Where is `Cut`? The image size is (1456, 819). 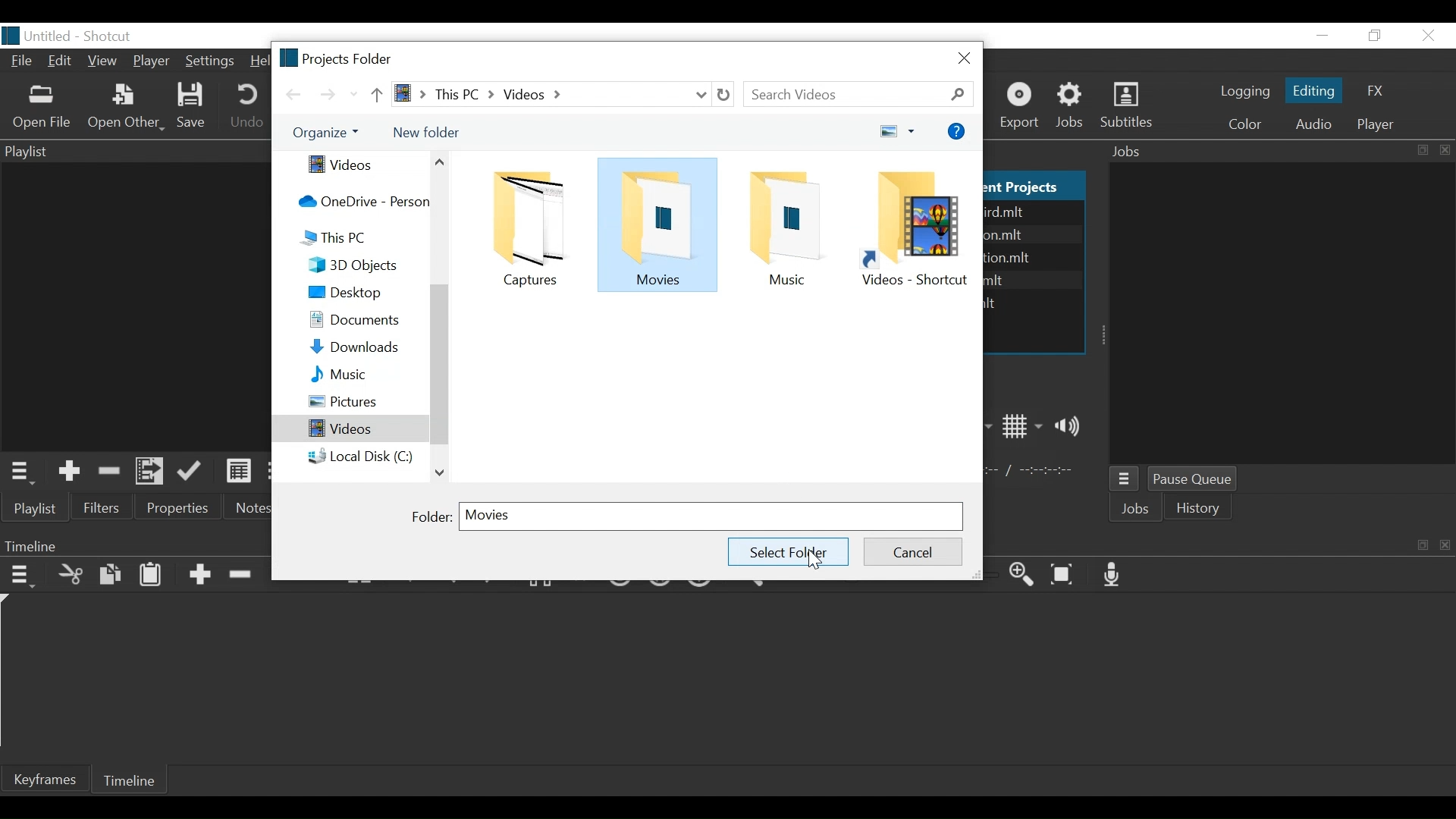
Cut is located at coordinates (71, 573).